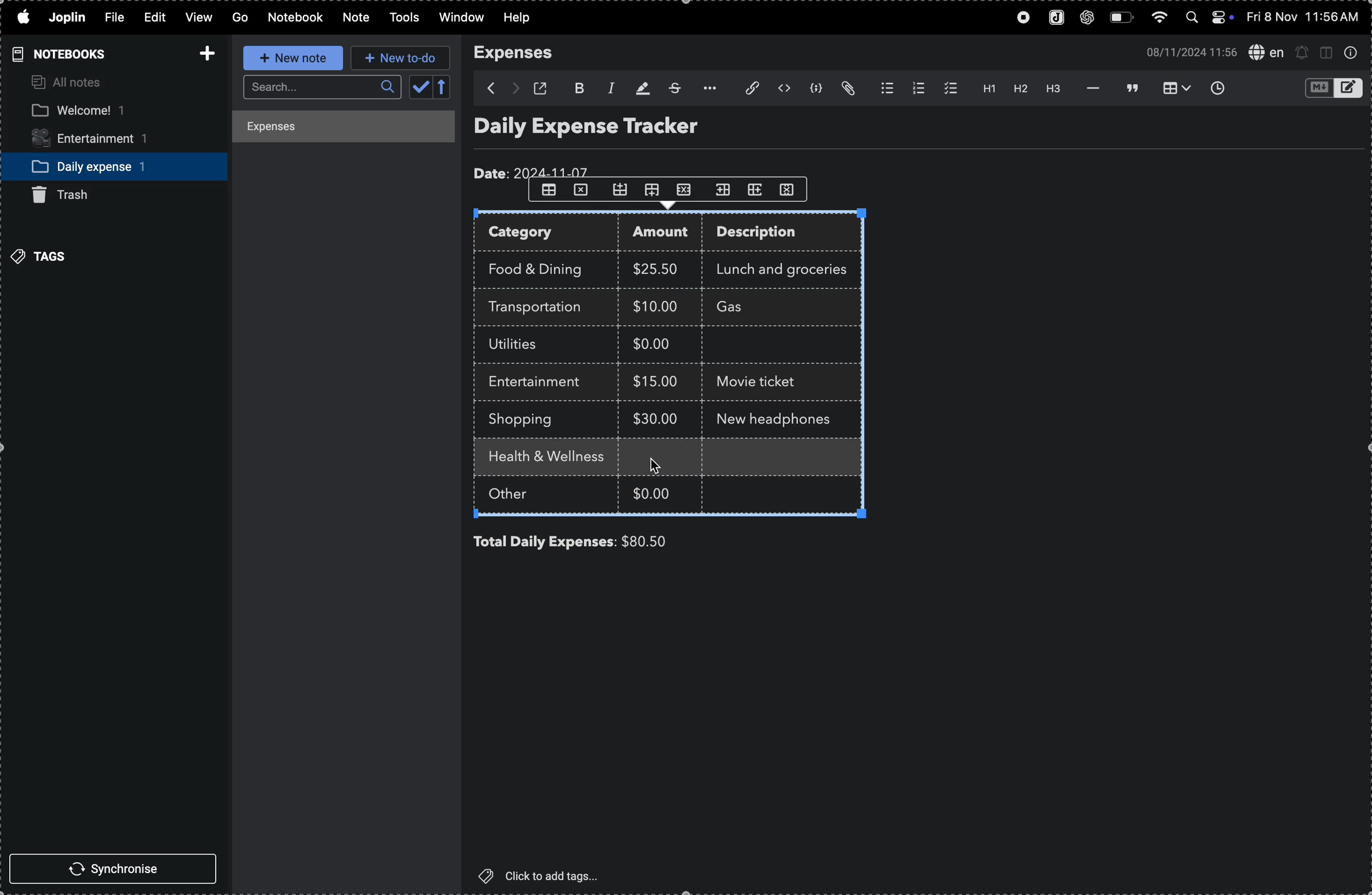  What do you see at coordinates (1302, 52) in the screenshot?
I see `alerts` at bounding box center [1302, 52].